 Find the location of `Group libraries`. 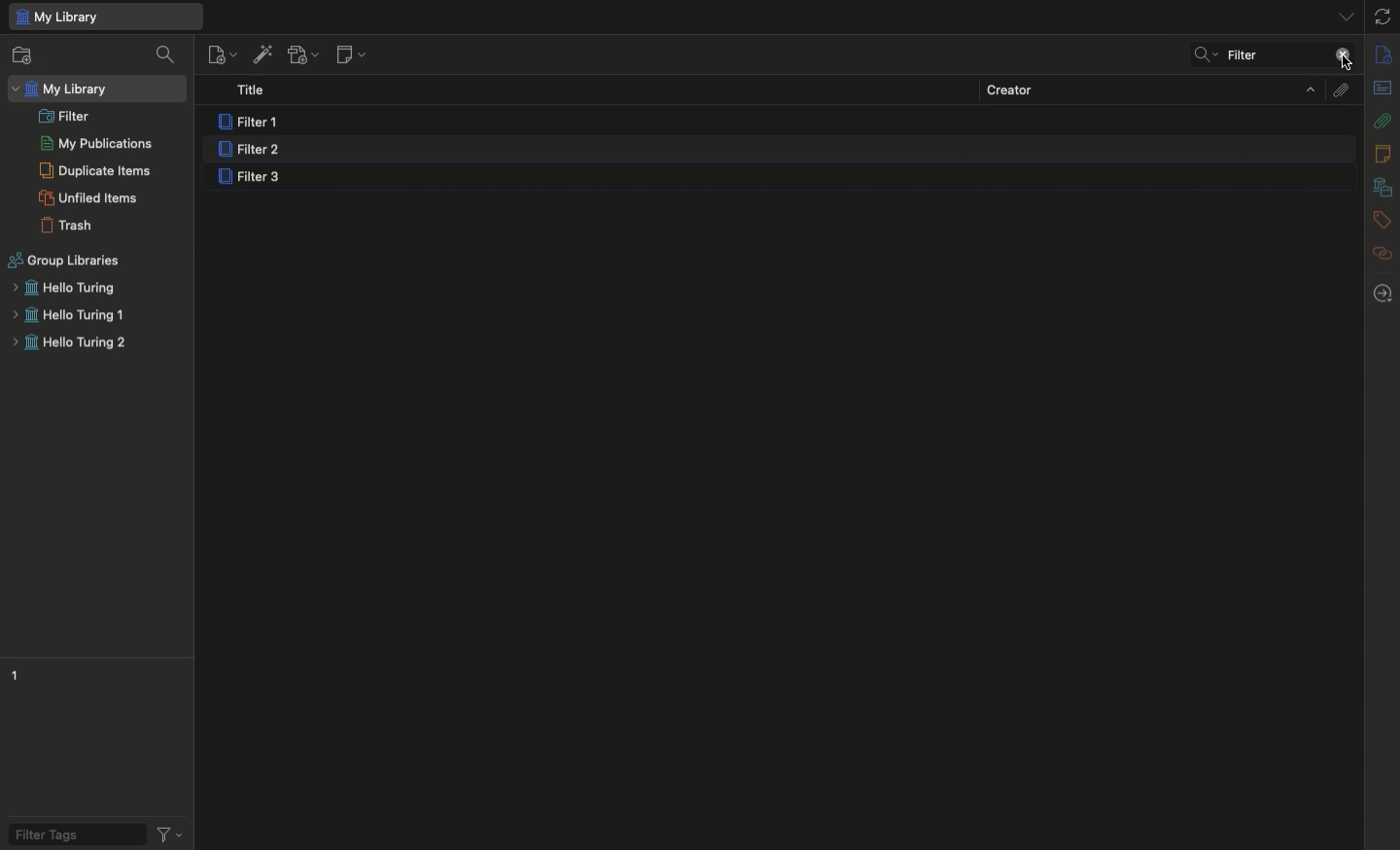

Group libraries is located at coordinates (65, 261).